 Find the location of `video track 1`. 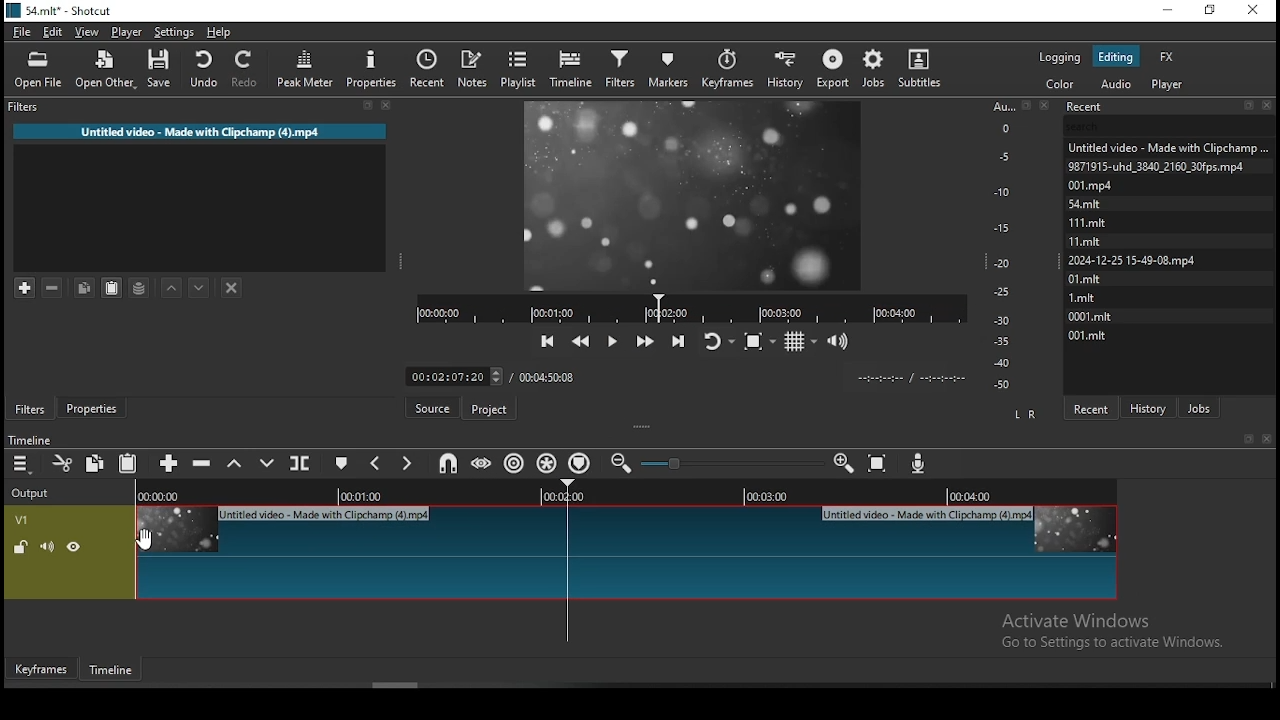

video track 1 is located at coordinates (626, 552).